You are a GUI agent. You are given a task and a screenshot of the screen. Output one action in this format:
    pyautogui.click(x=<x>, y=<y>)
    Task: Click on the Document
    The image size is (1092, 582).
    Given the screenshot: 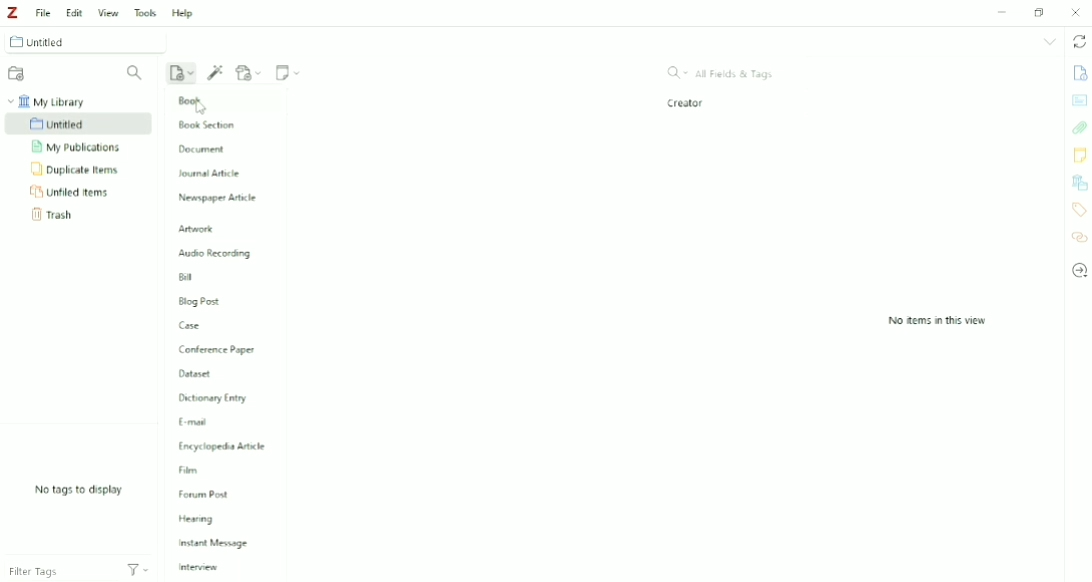 What is the action you would take?
    pyautogui.click(x=203, y=150)
    